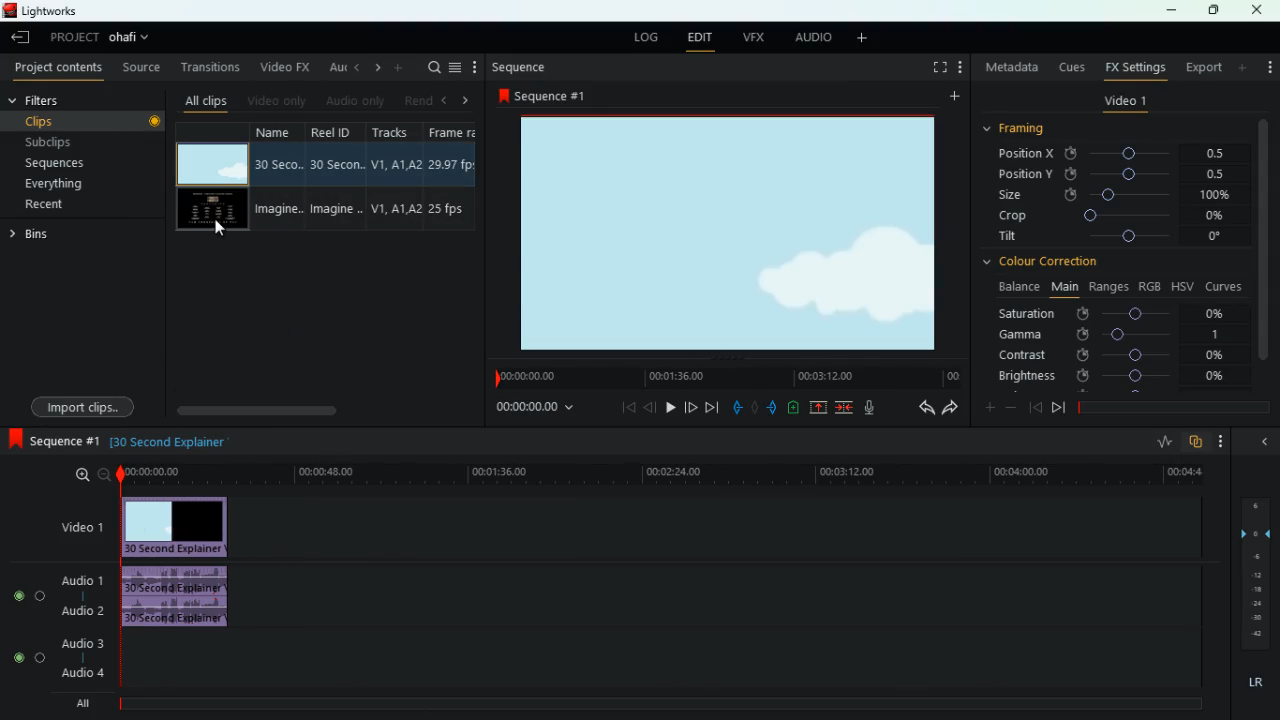 The height and width of the screenshot is (720, 1280). Describe the element at coordinates (1202, 68) in the screenshot. I see `export` at that location.